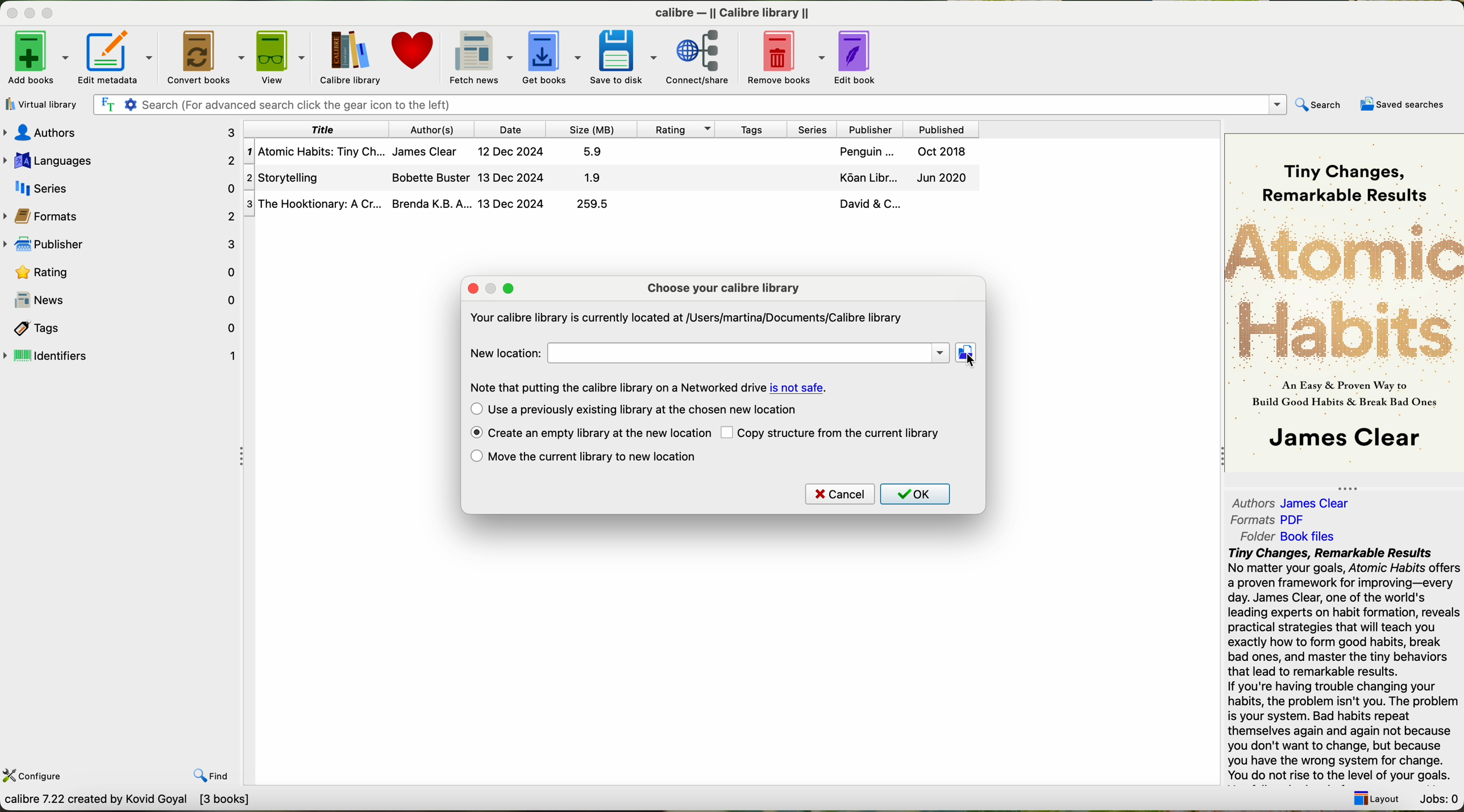 This screenshot has height=812, width=1464. What do you see at coordinates (434, 129) in the screenshot?
I see `author` at bounding box center [434, 129].